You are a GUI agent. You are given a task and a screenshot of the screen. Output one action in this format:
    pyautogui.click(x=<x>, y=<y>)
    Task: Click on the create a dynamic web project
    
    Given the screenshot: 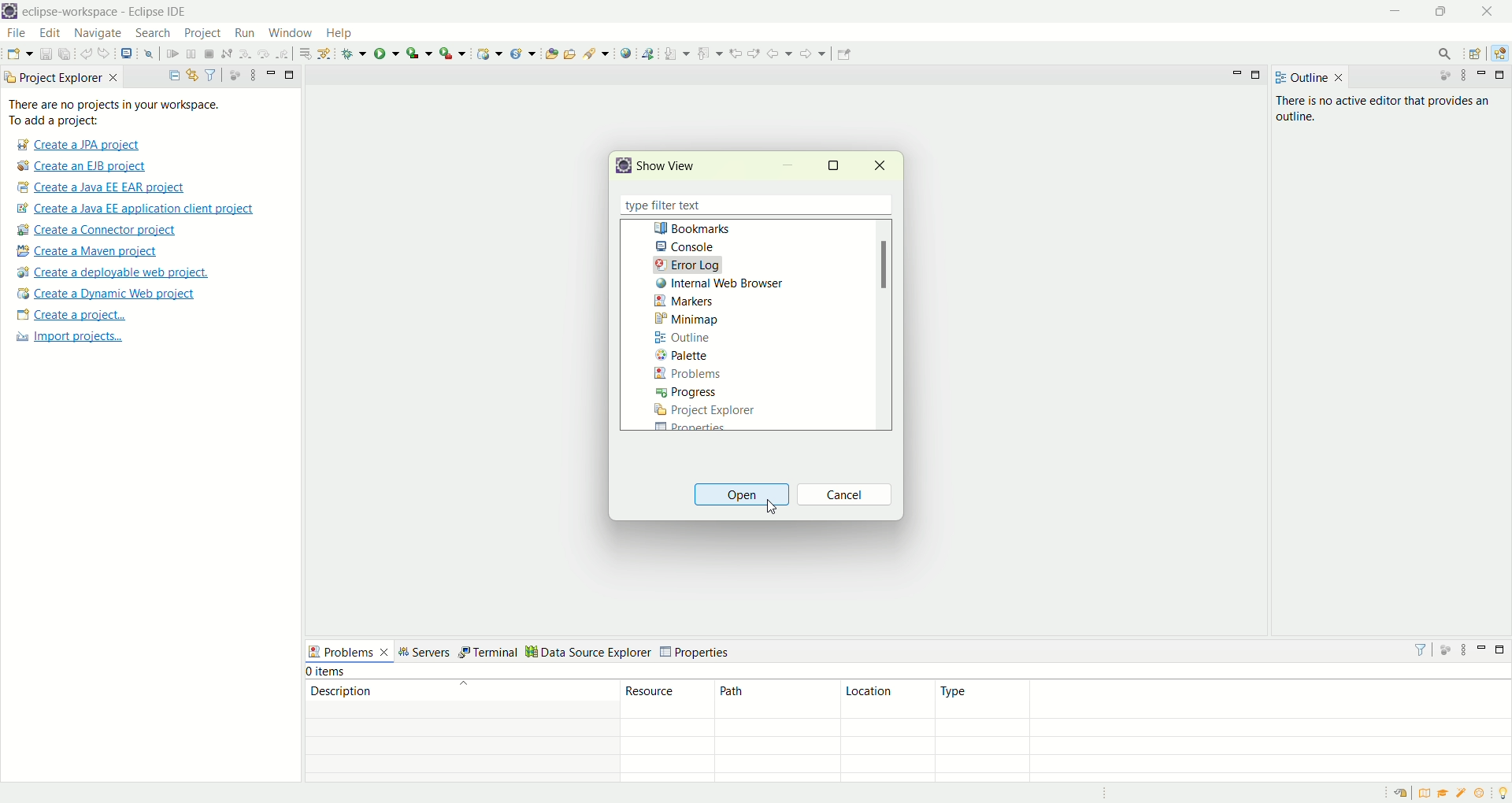 What is the action you would take?
    pyautogui.click(x=106, y=294)
    